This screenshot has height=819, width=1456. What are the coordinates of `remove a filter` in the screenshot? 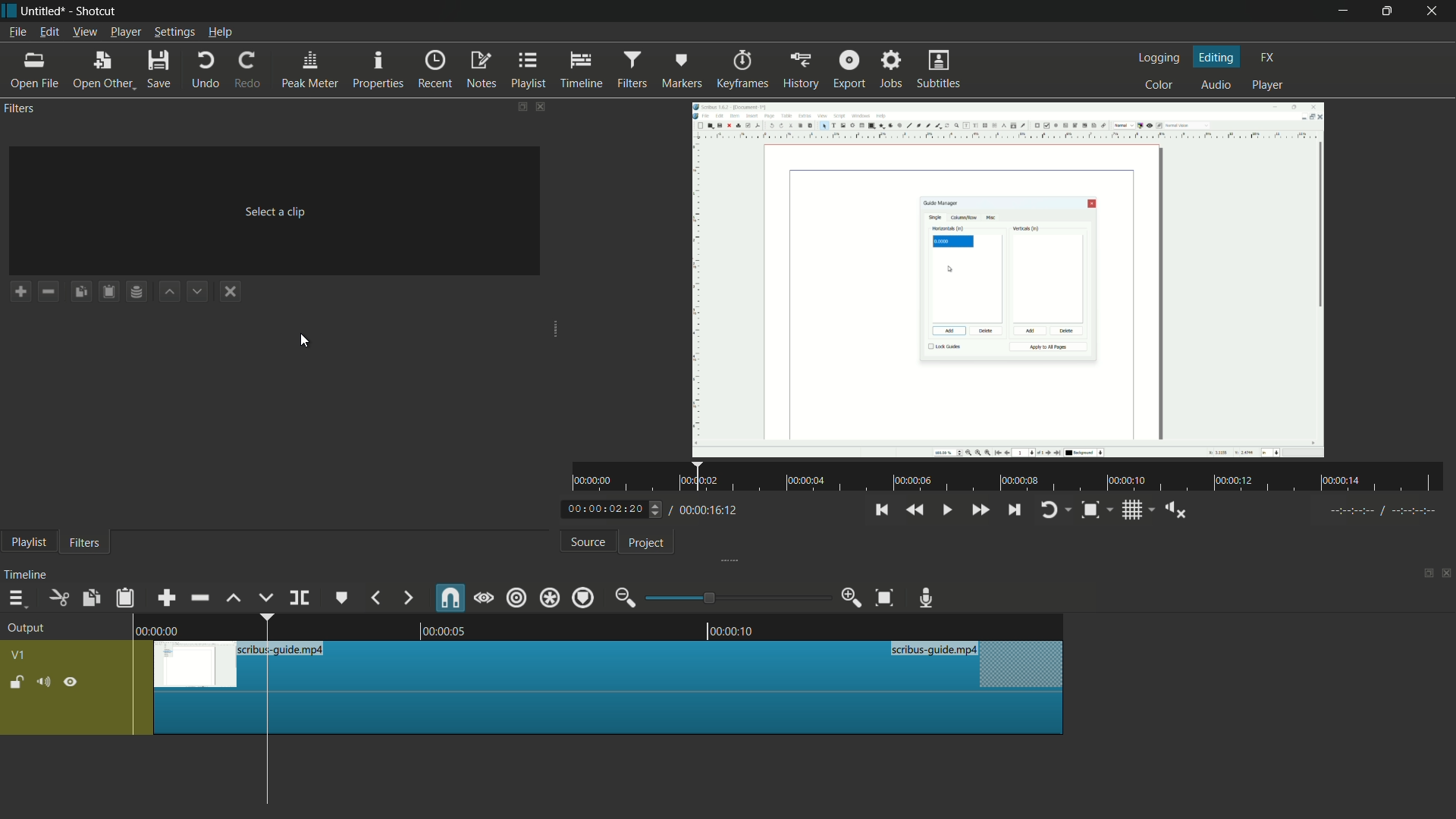 It's located at (49, 291).